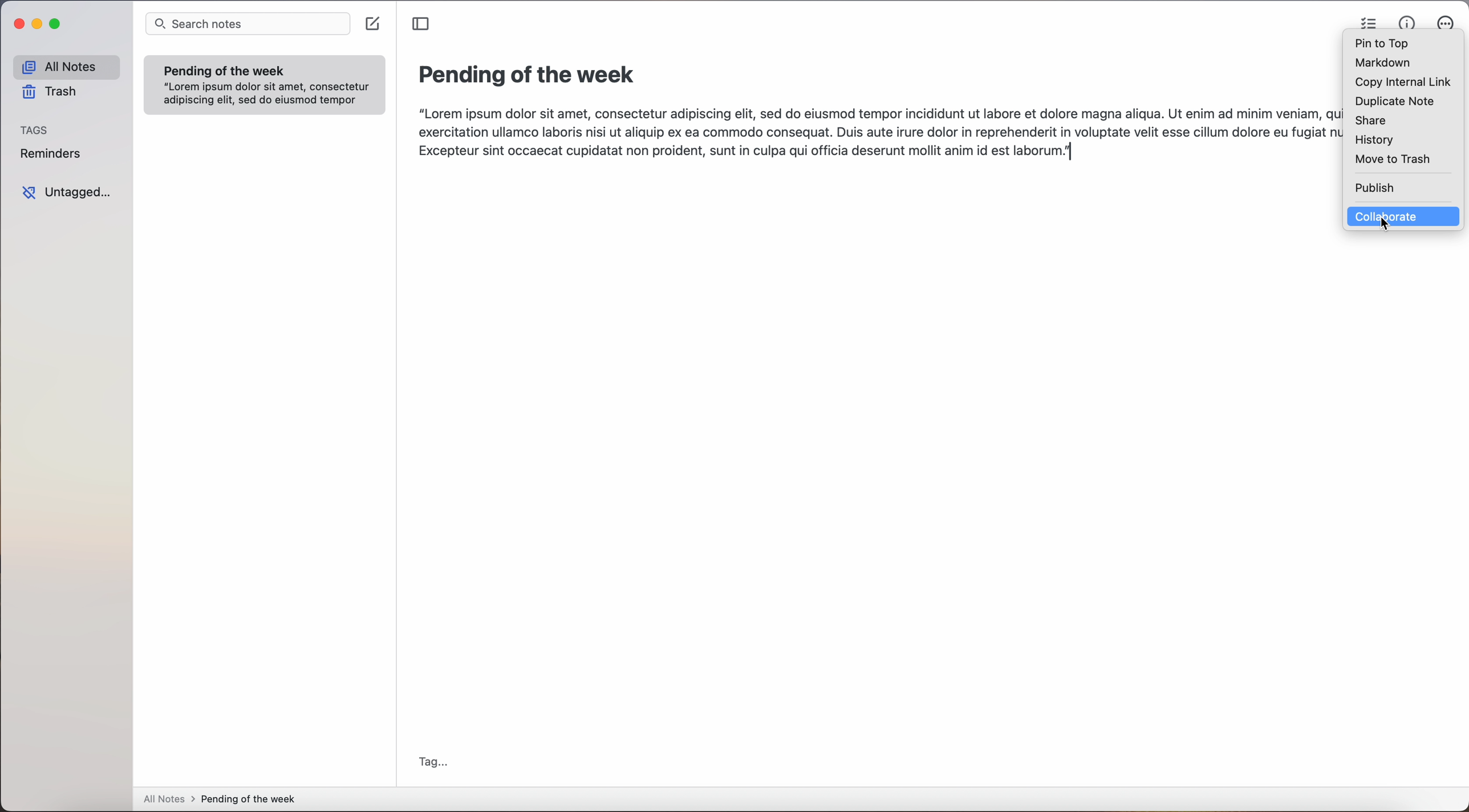  I want to click on toggle sidebar, so click(421, 25).